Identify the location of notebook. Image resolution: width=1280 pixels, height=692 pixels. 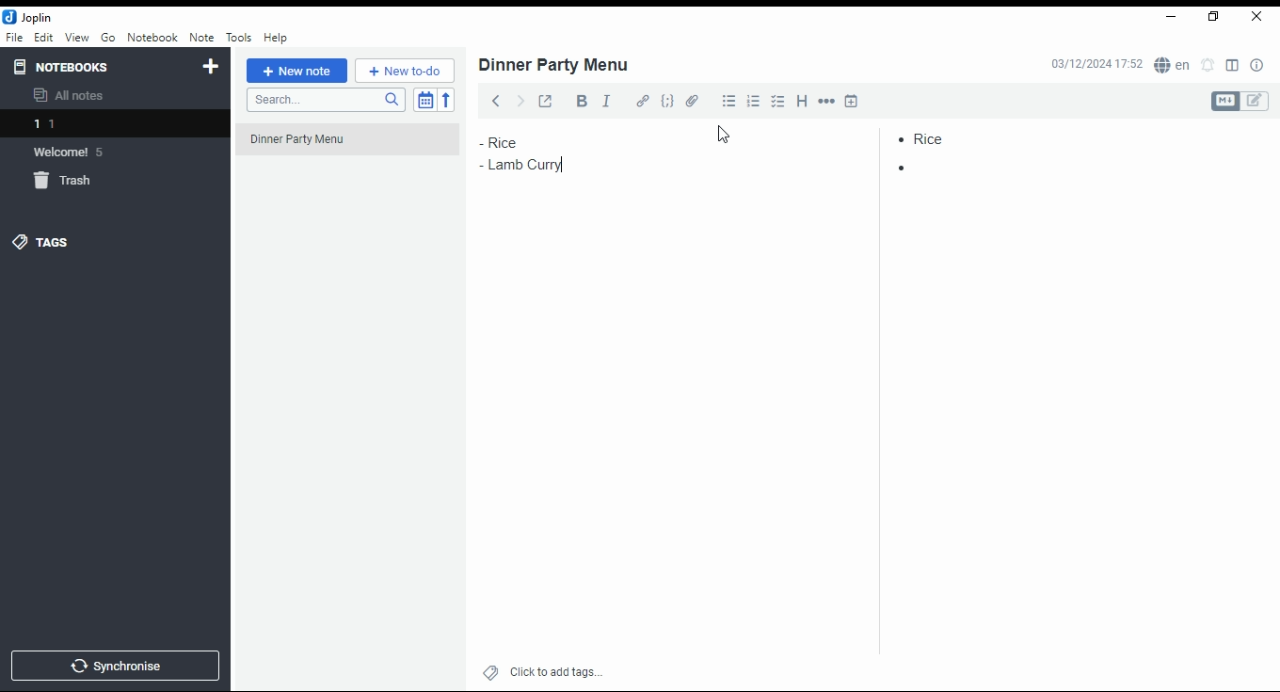
(152, 37).